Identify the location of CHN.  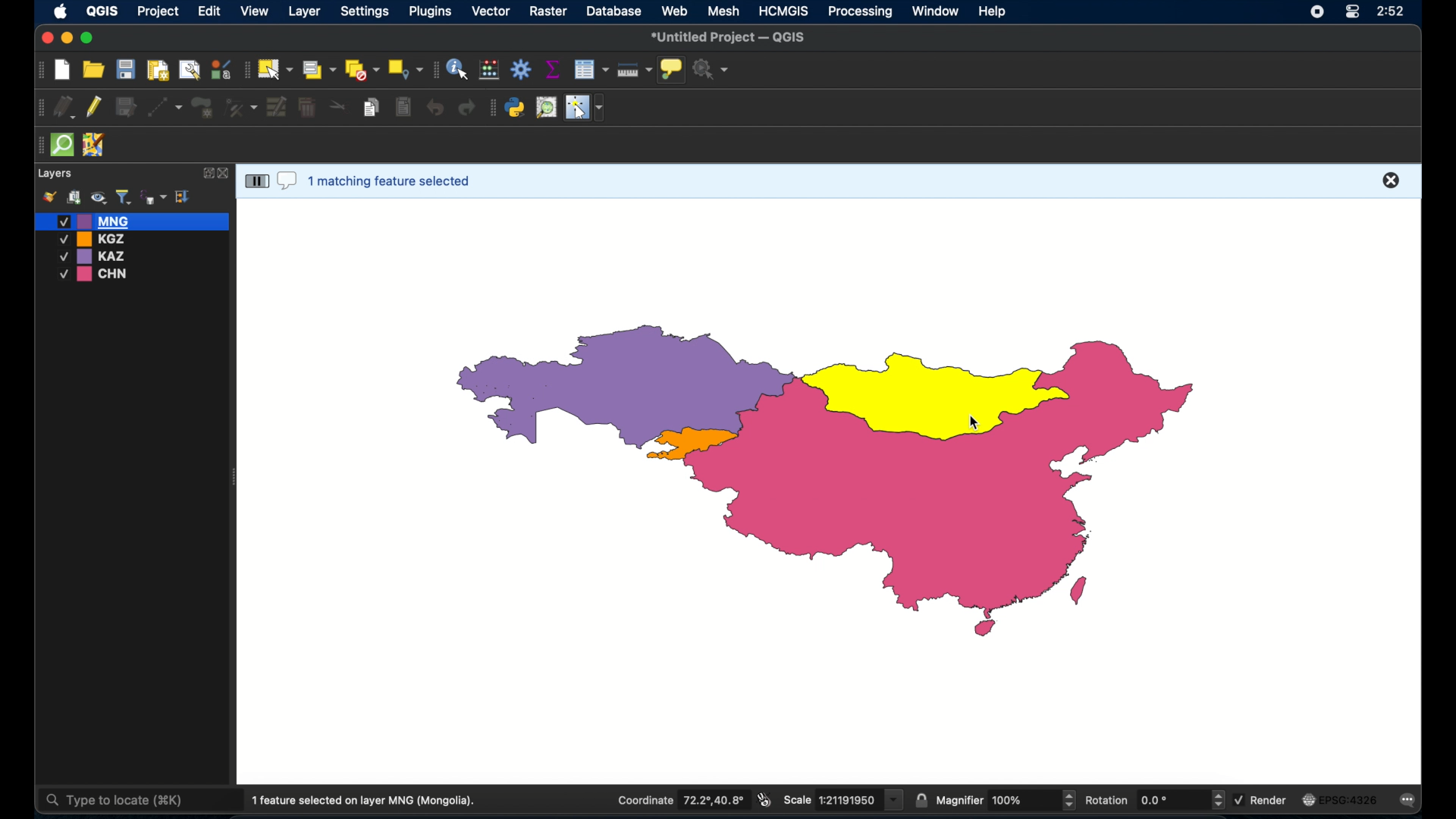
(96, 275).